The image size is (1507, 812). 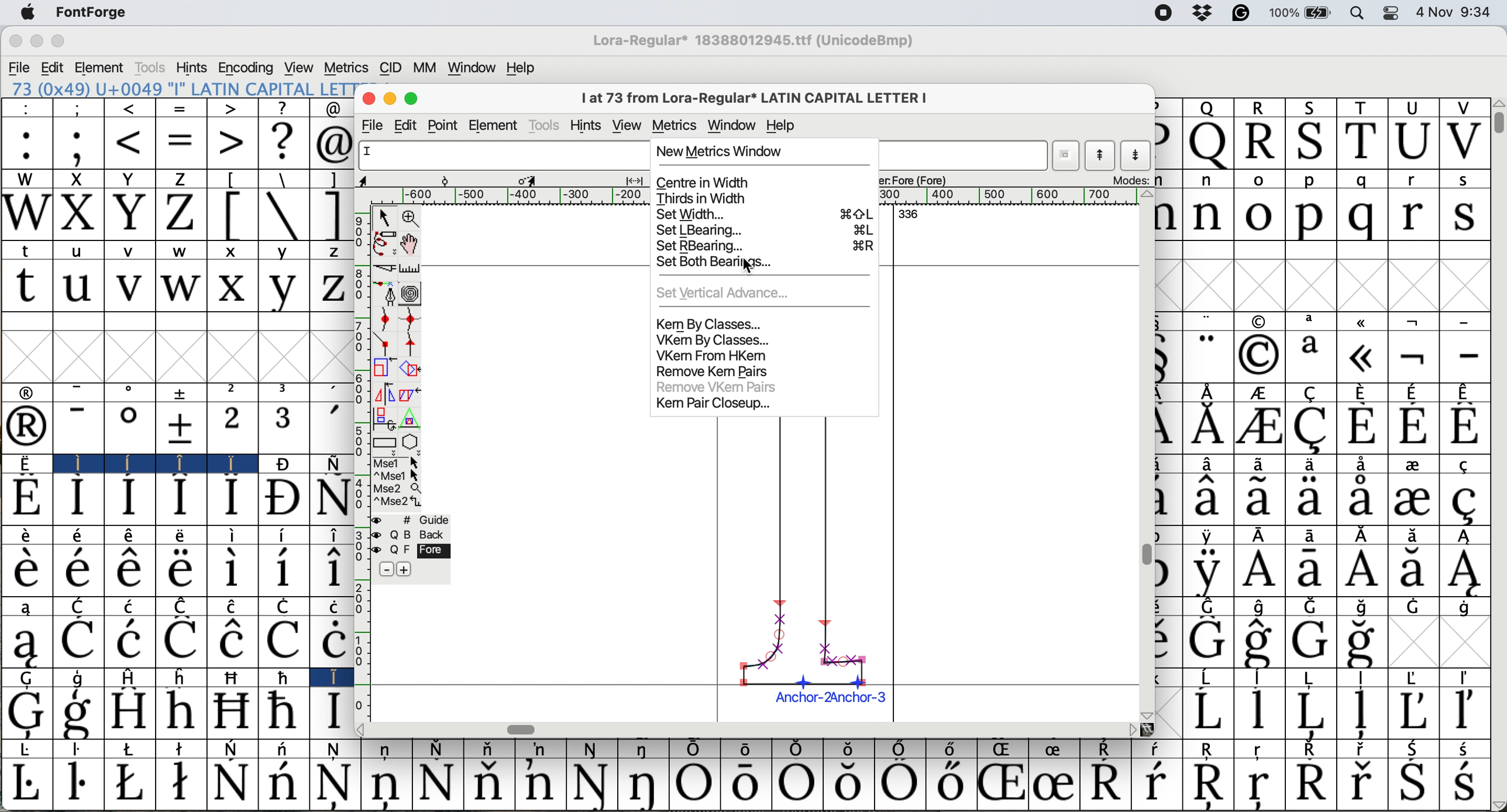 What do you see at coordinates (631, 179) in the screenshot?
I see `` at bounding box center [631, 179].